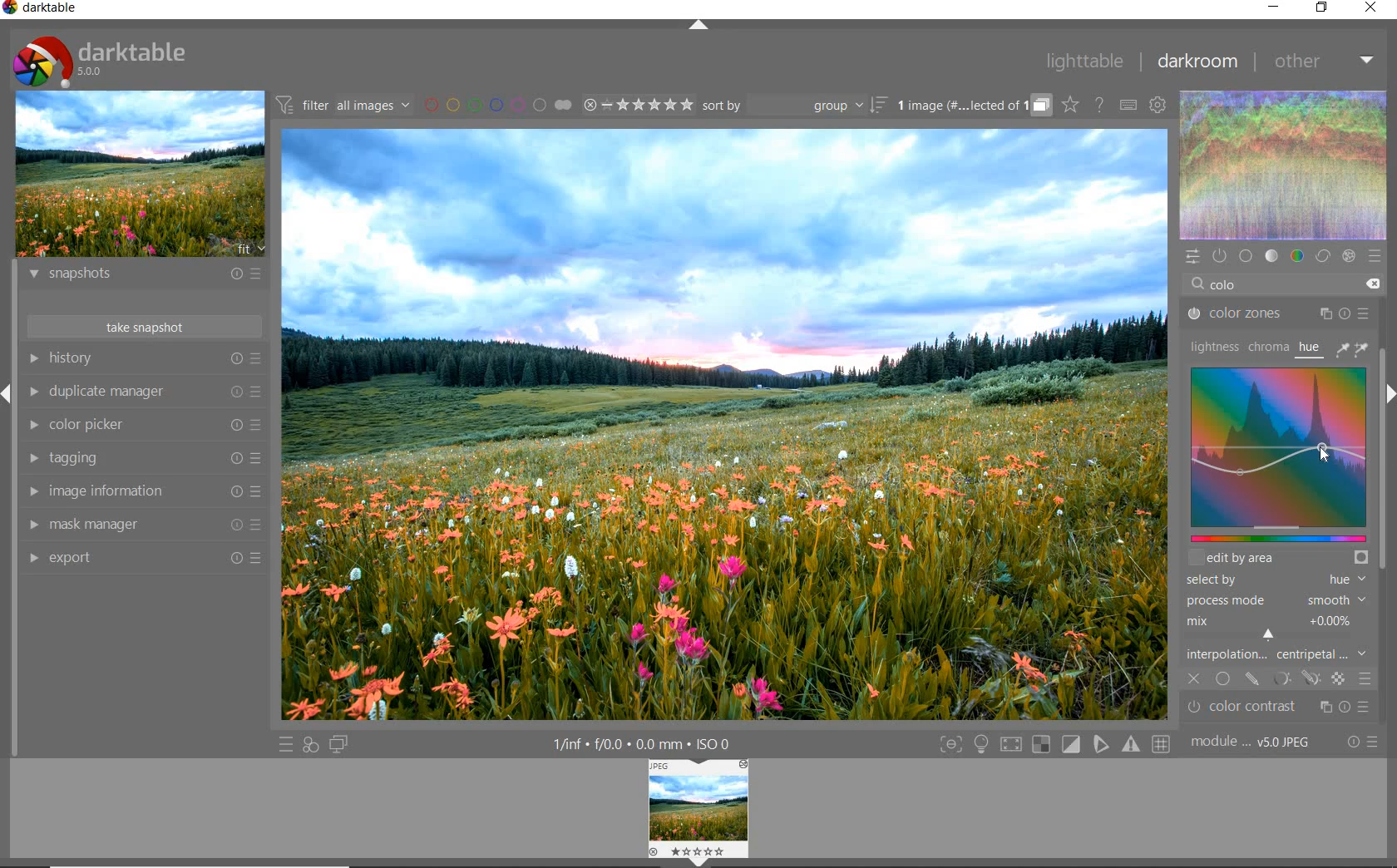  What do you see at coordinates (1268, 347) in the screenshot?
I see `chroma` at bounding box center [1268, 347].